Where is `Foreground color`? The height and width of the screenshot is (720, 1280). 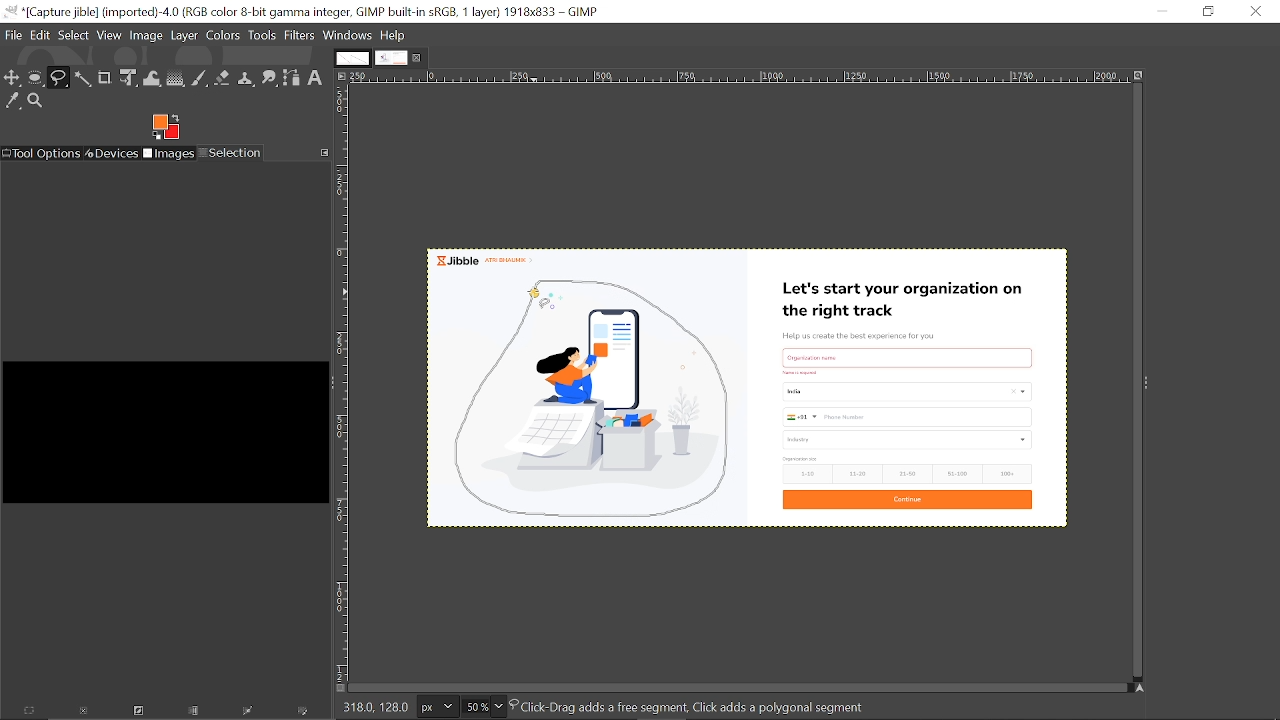
Foreground color is located at coordinates (167, 126).